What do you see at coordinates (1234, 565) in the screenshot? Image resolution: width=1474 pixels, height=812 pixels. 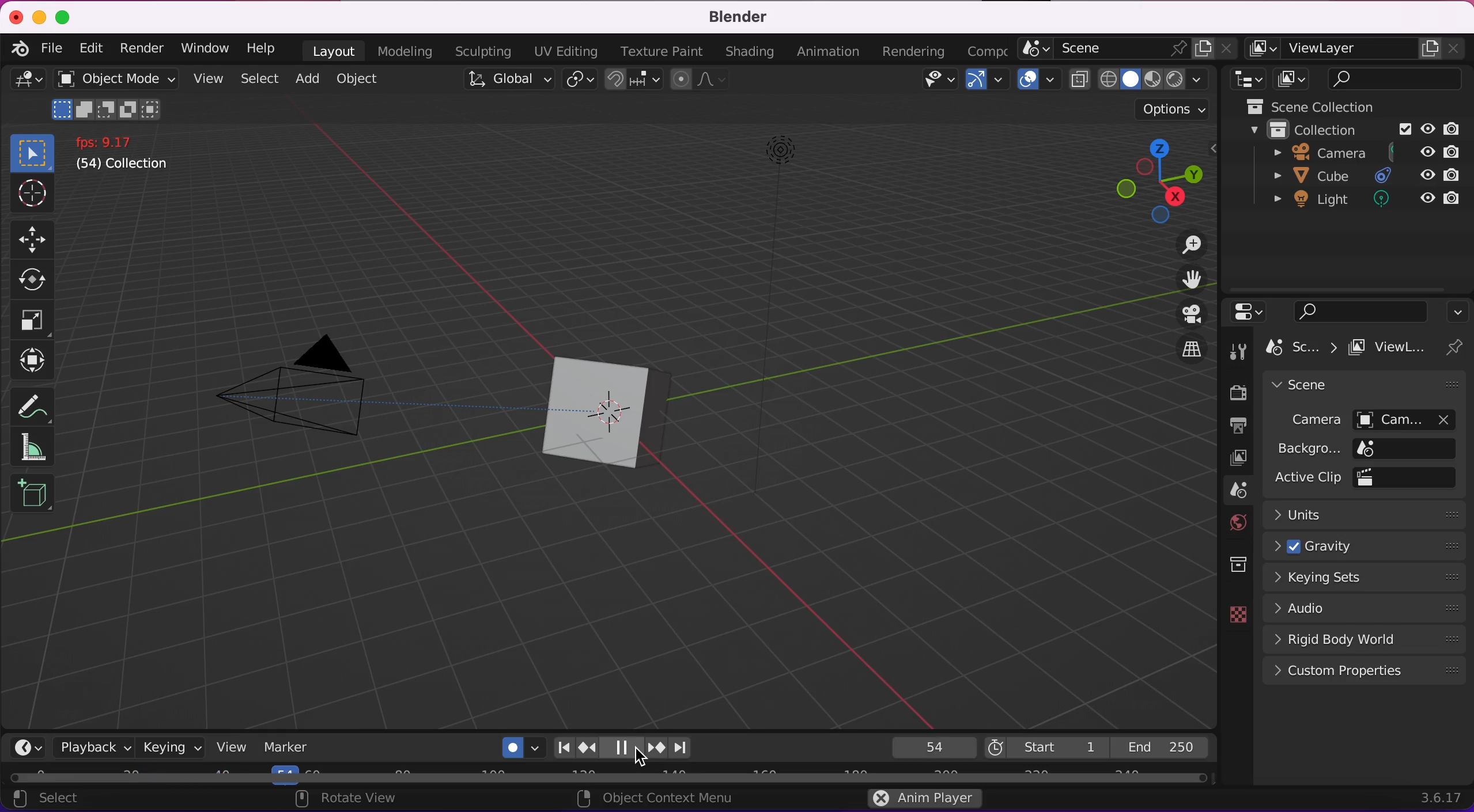 I see `collections` at bounding box center [1234, 565].